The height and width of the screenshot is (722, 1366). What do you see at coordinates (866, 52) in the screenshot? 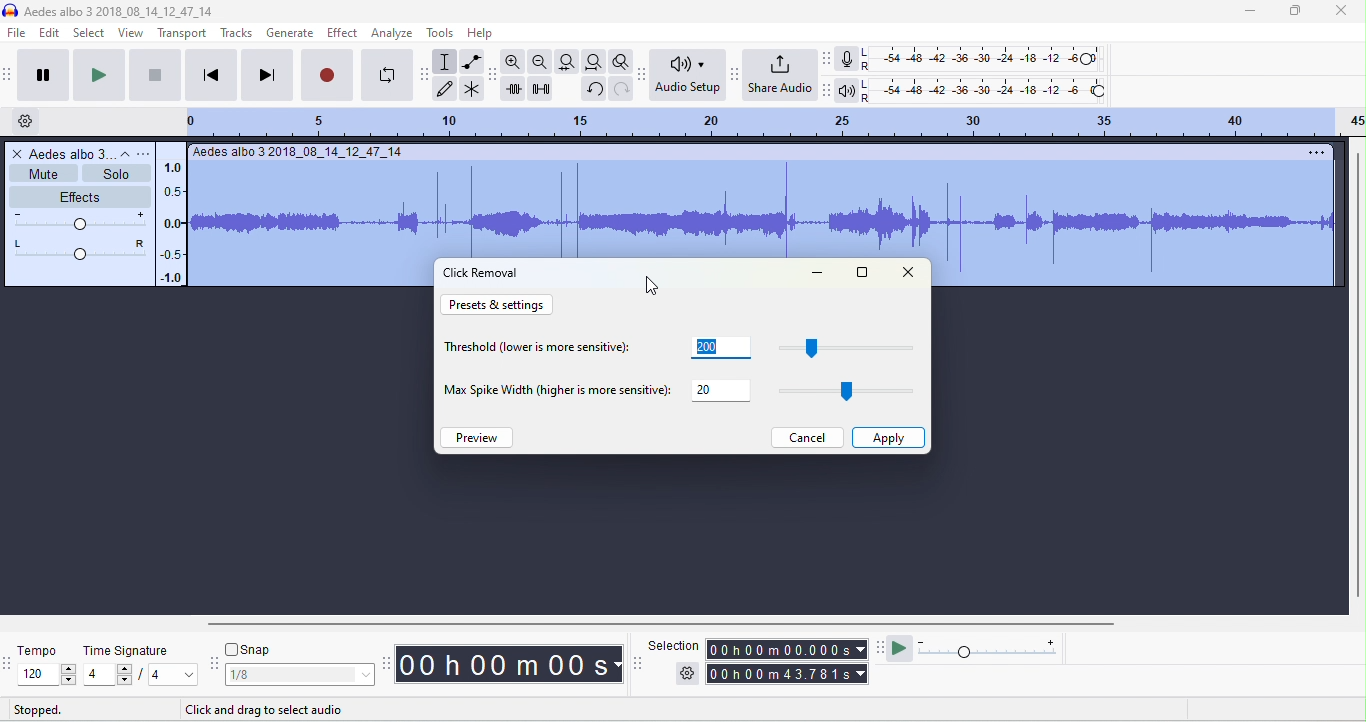
I see `L` at bounding box center [866, 52].